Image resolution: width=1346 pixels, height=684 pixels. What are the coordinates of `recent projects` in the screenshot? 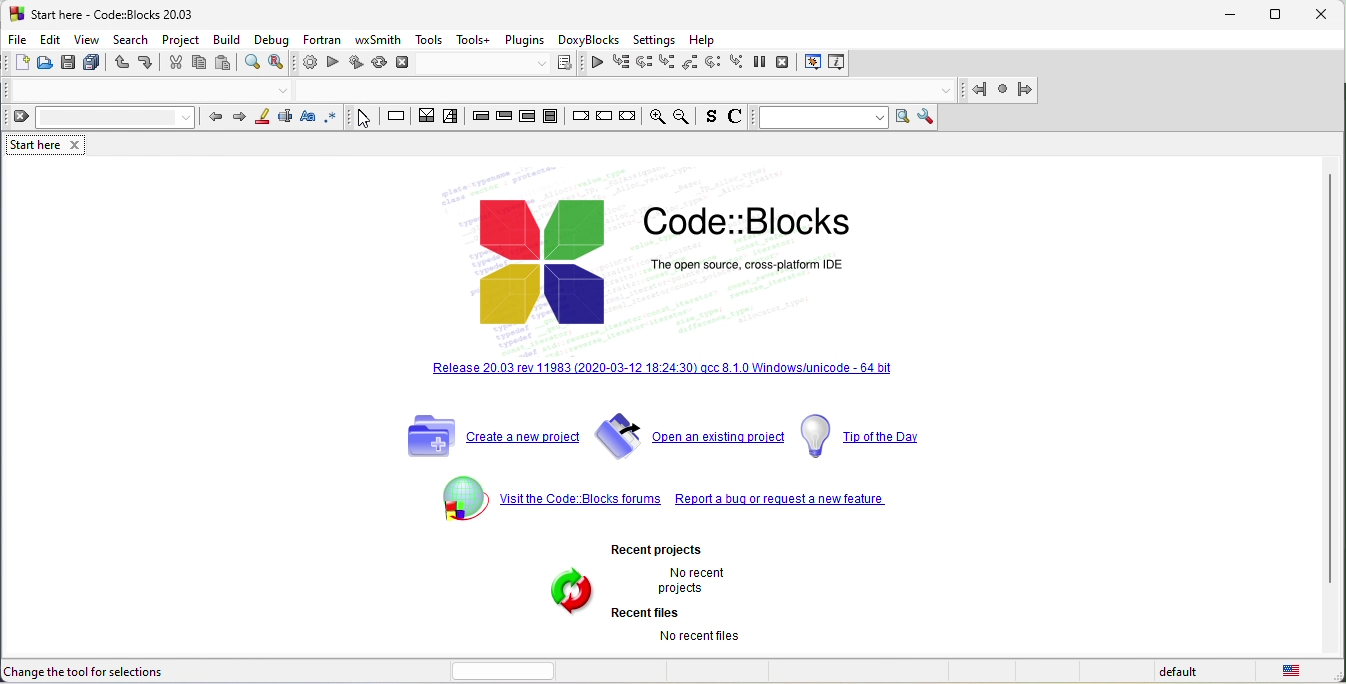 It's located at (647, 590).